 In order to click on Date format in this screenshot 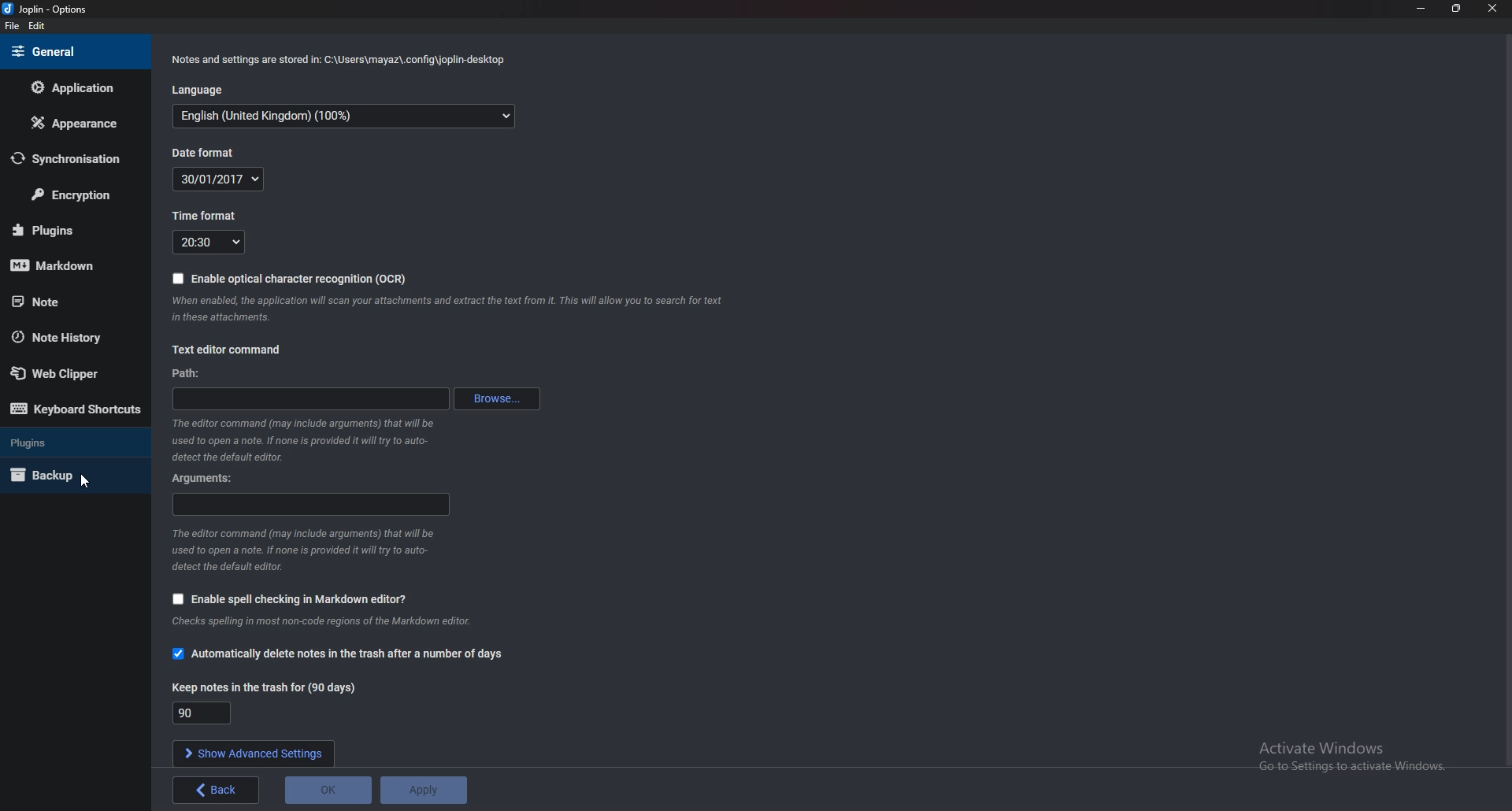, I will do `click(213, 151)`.